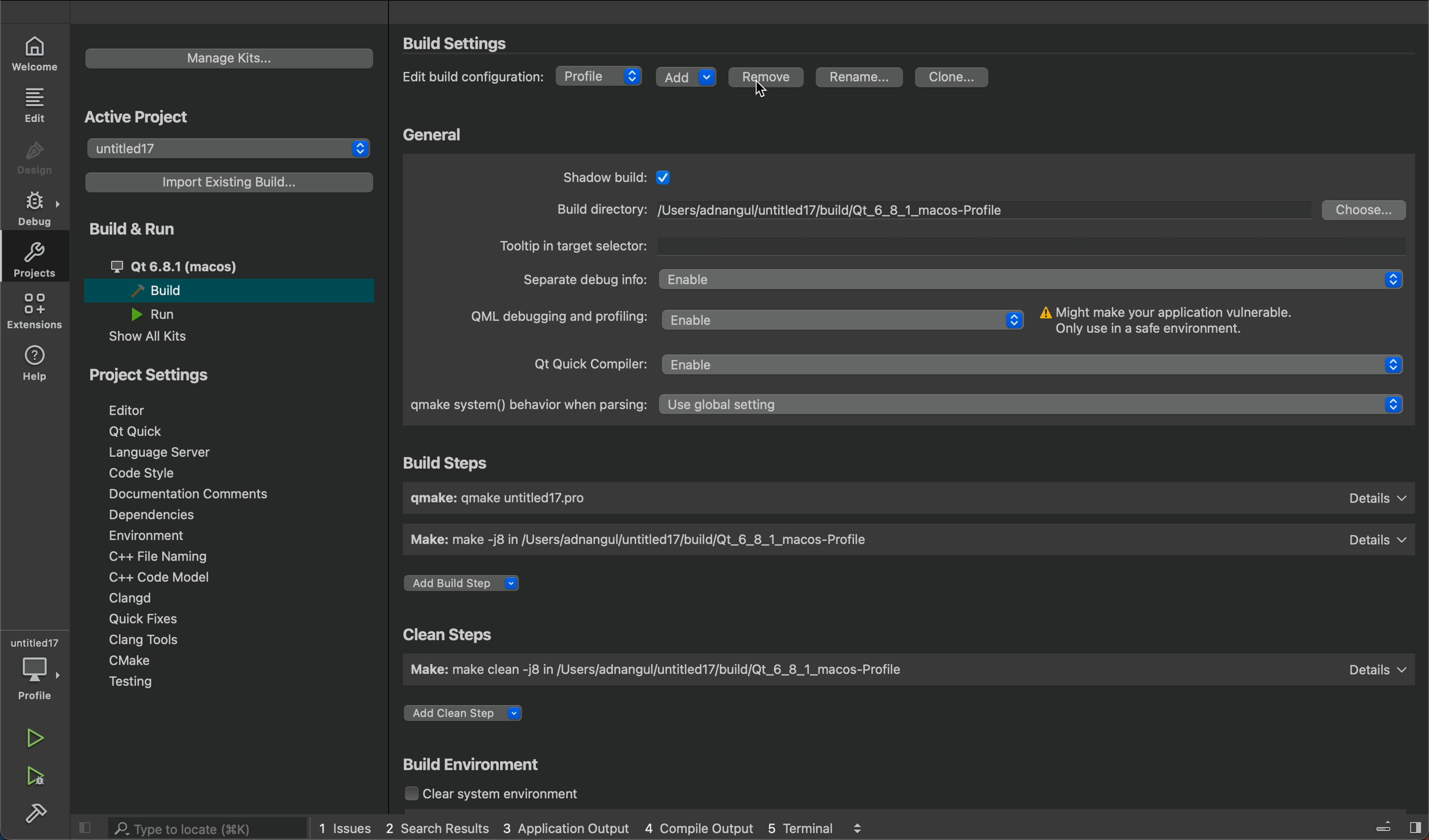 This screenshot has height=840, width=1429. Describe the element at coordinates (552, 319) in the screenshot. I see `qml debugging` at that location.